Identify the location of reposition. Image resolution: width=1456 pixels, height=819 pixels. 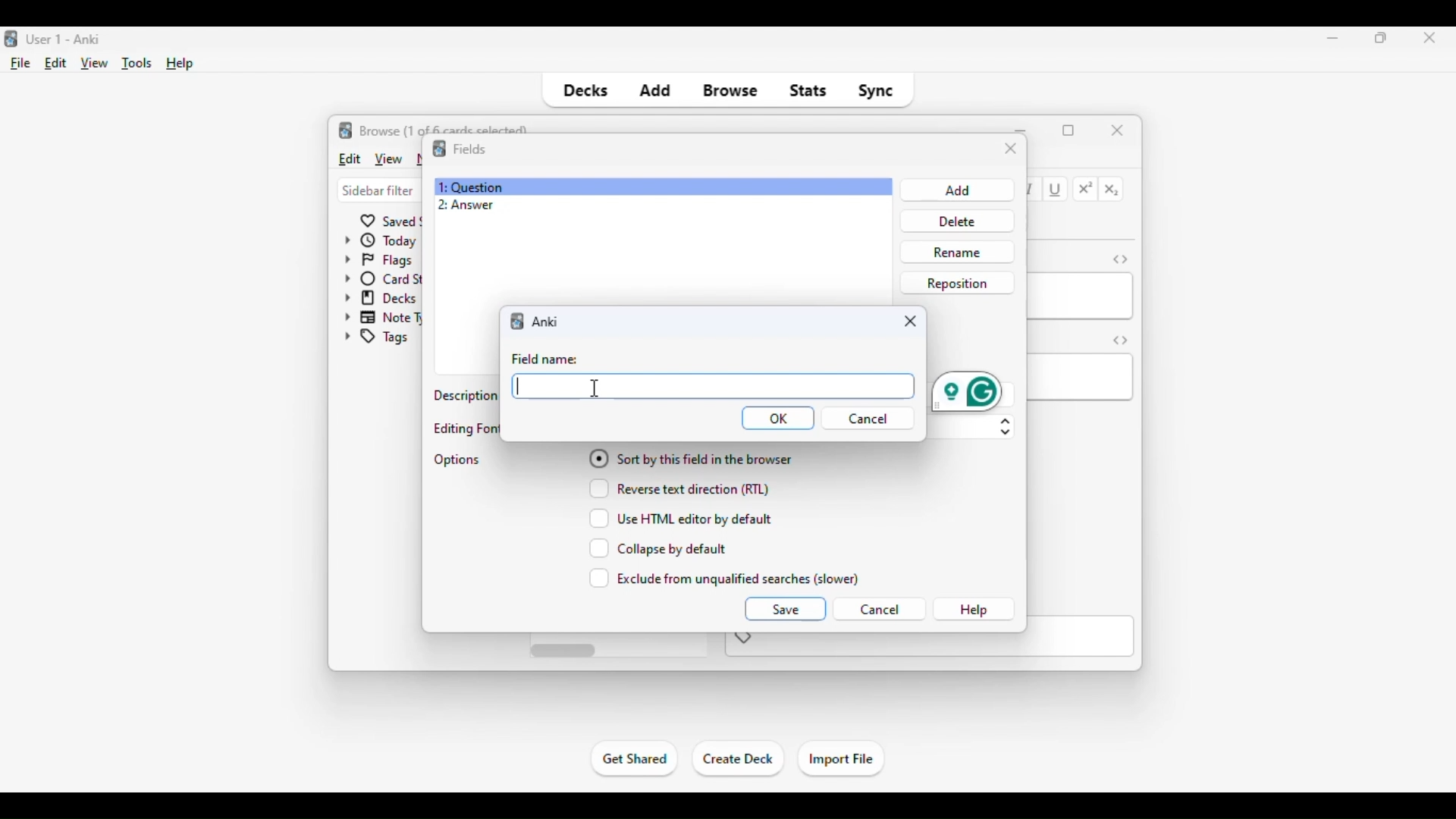
(957, 282).